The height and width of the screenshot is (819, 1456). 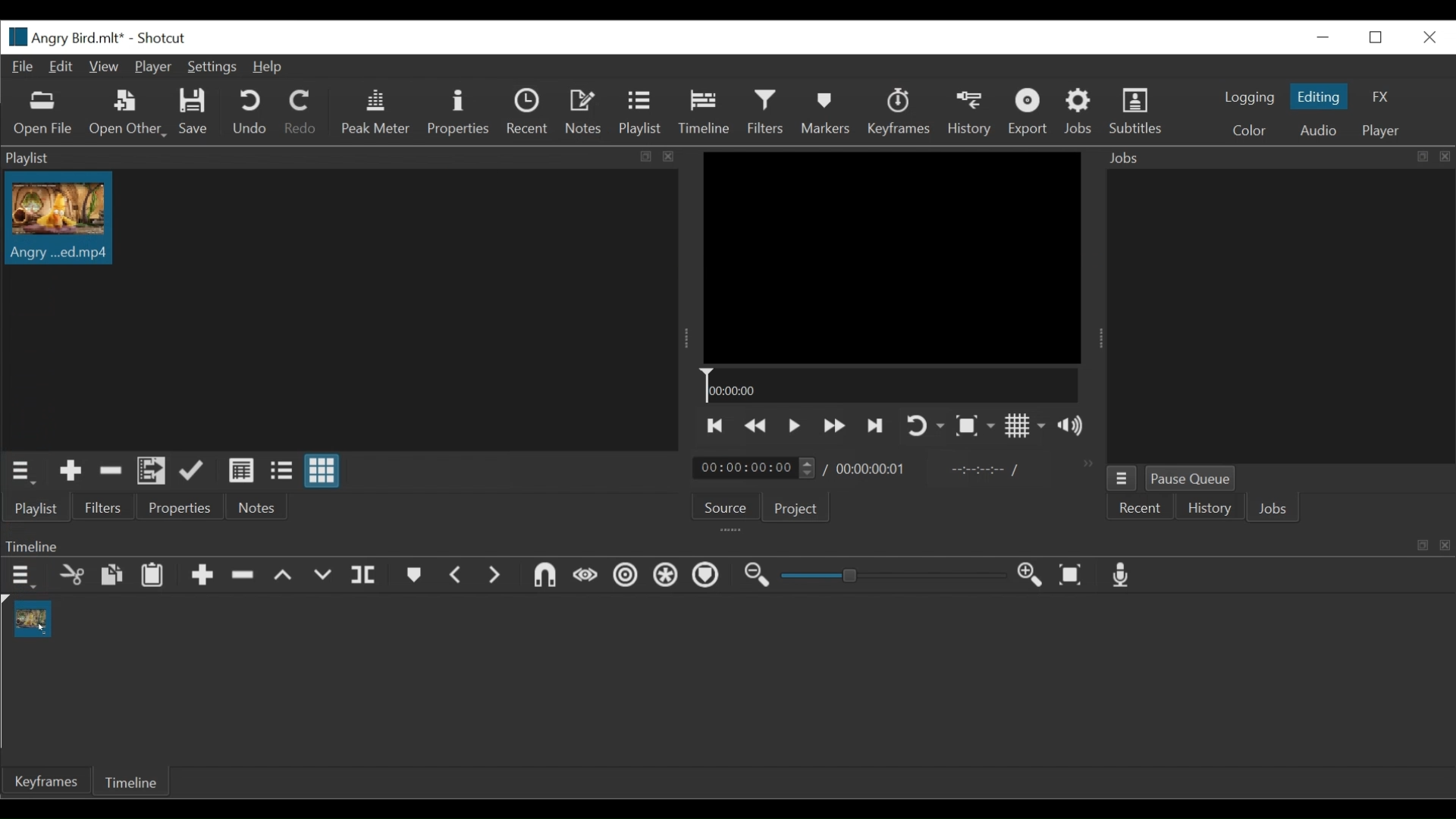 I want to click on History, so click(x=1208, y=508).